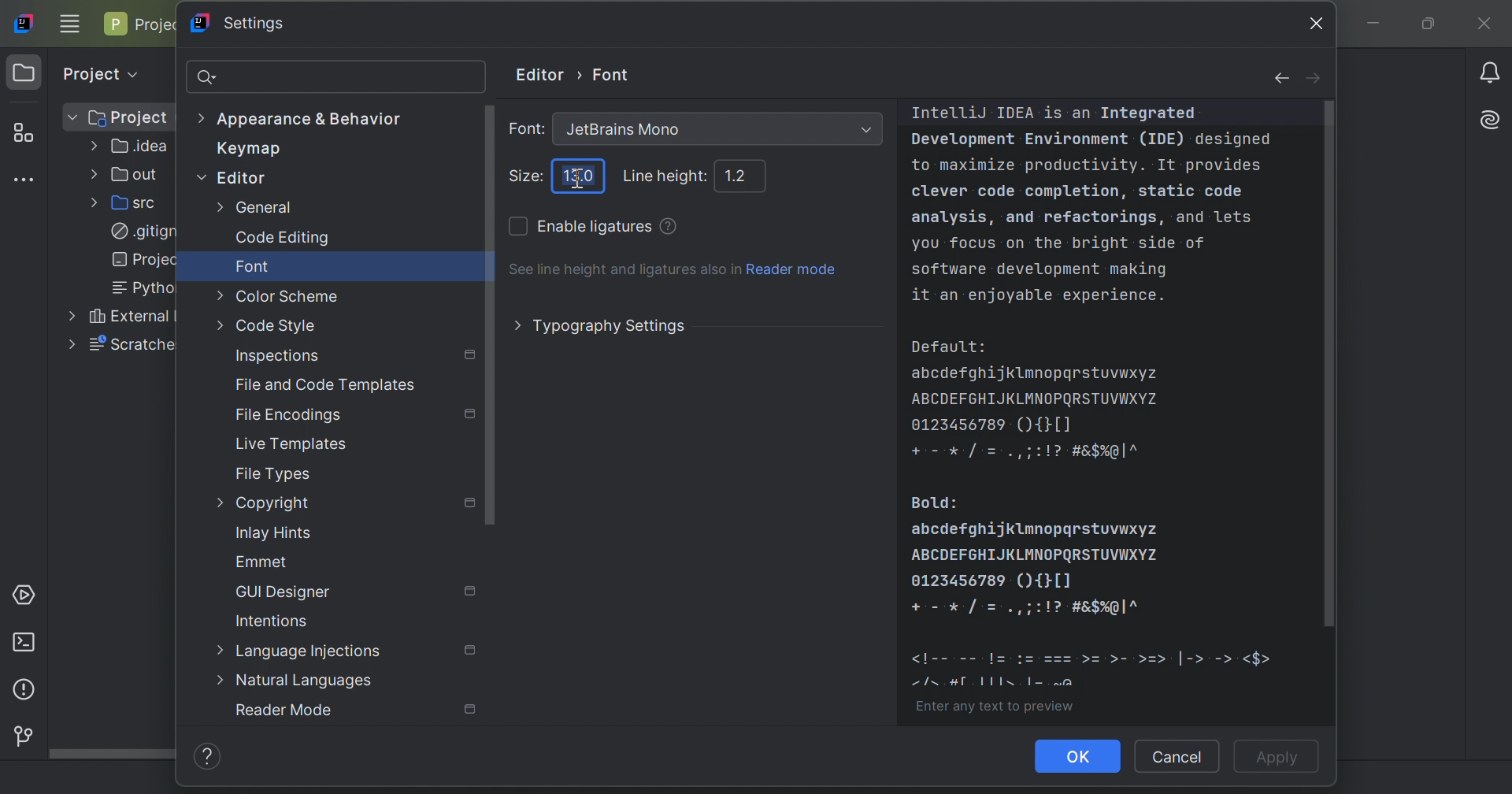 The image size is (1512, 794). What do you see at coordinates (212, 757) in the screenshot?
I see `Help/info icon` at bounding box center [212, 757].